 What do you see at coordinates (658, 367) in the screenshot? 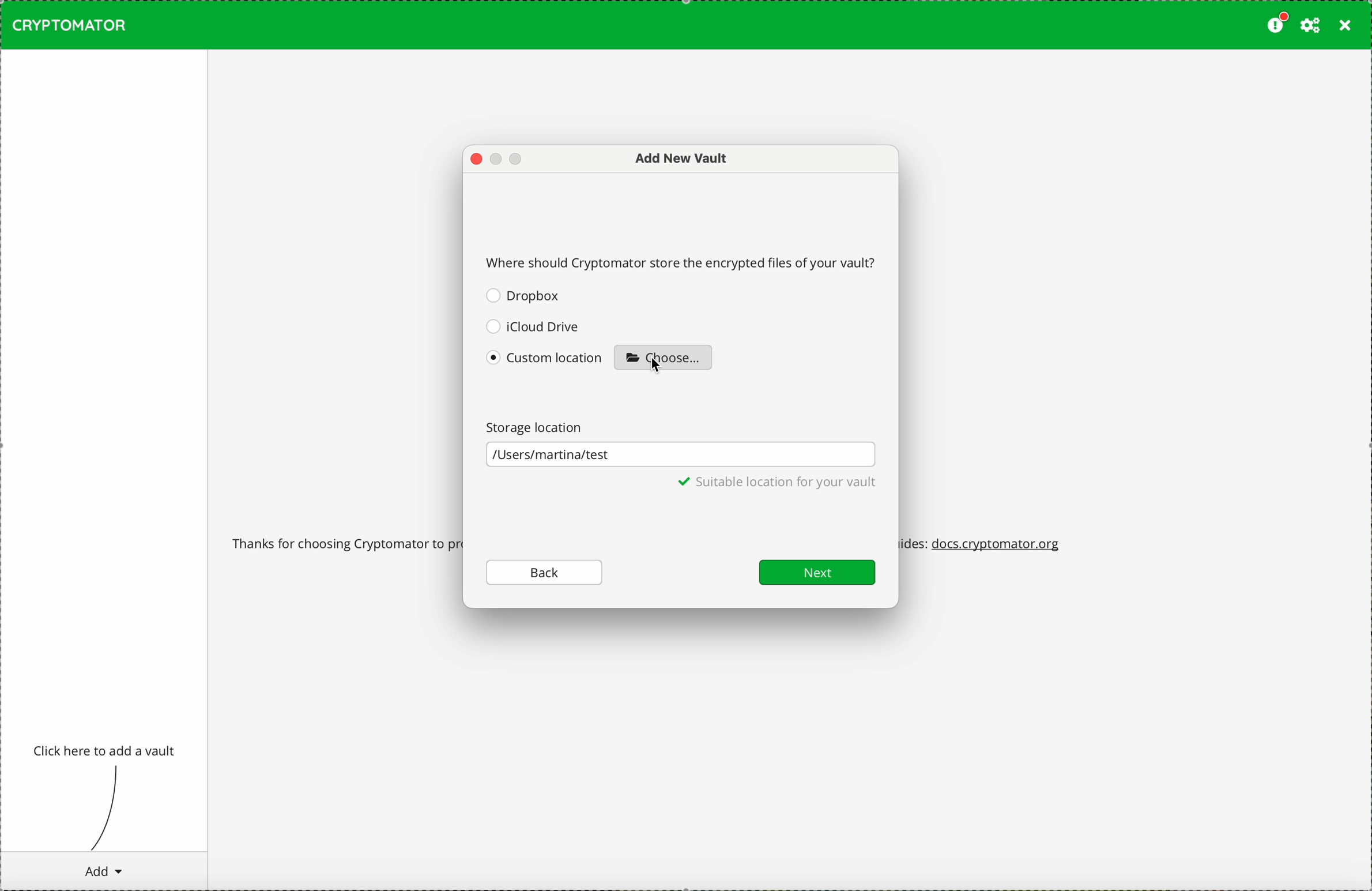
I see `mouse pointer` at bounding box center [658, 367].